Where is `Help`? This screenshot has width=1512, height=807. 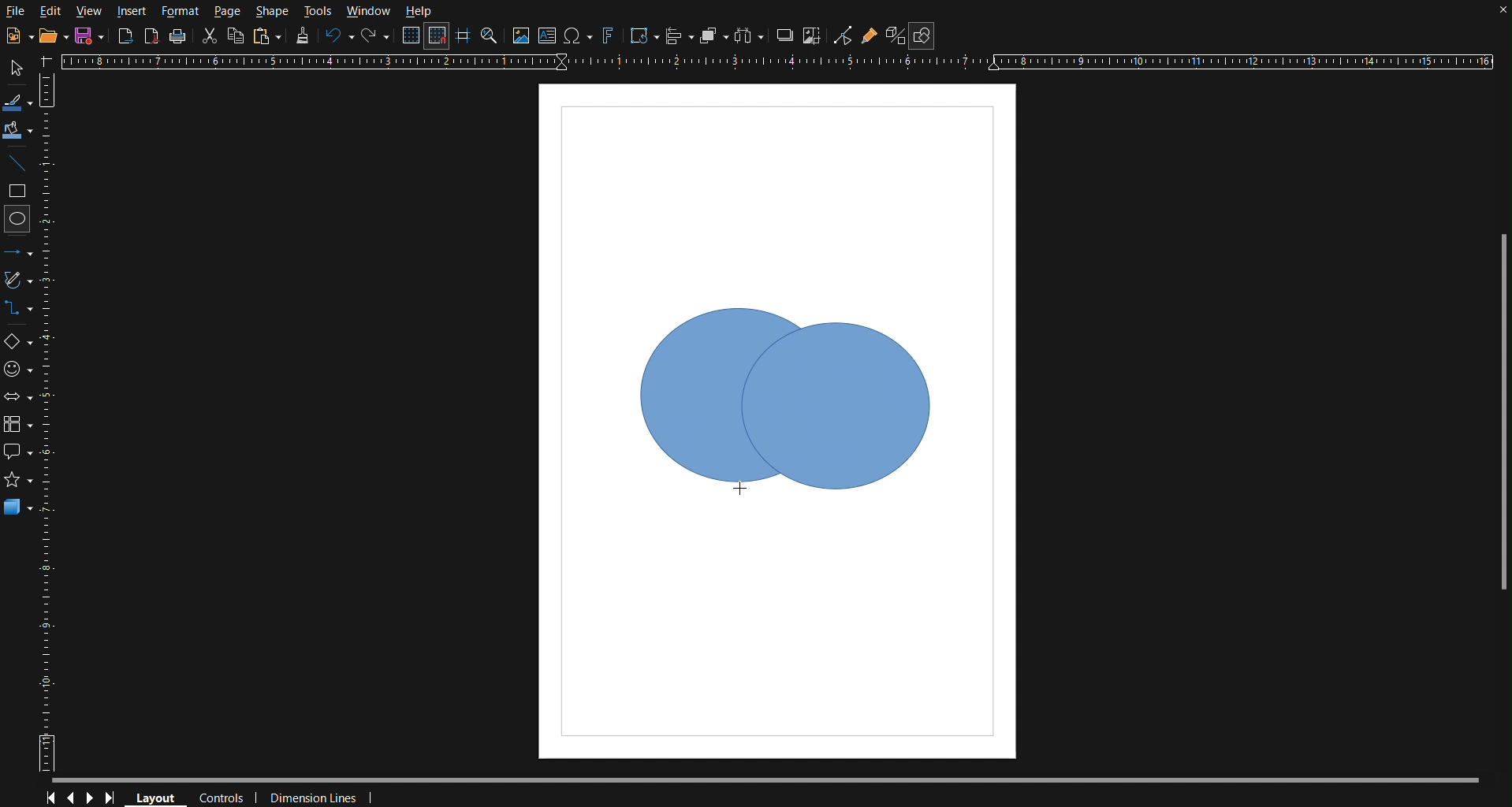 Help is located at coordinates (418, 12).